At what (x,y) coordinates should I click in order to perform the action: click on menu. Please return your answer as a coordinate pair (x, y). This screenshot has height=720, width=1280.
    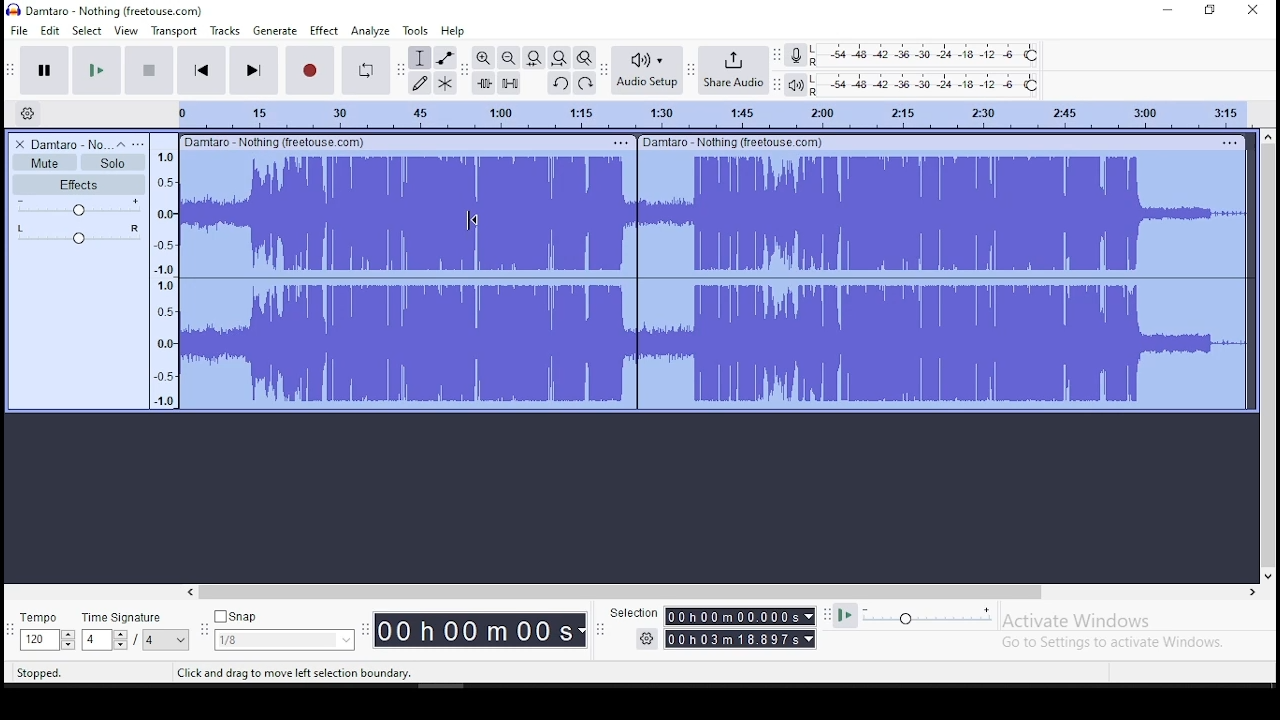
    Looking at the image, I should click on (620, 143).